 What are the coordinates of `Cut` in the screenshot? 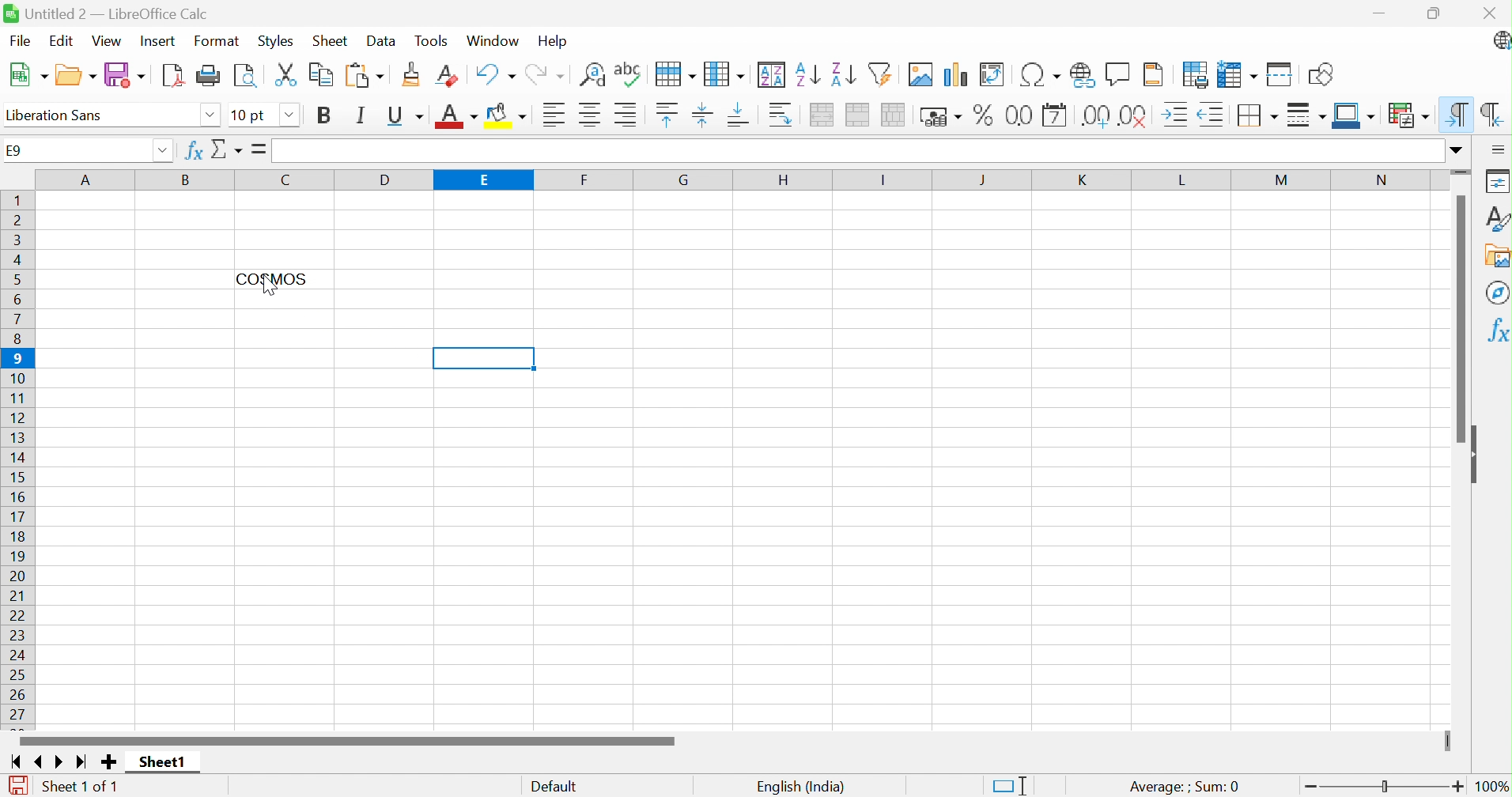 It's located at (285, 74).